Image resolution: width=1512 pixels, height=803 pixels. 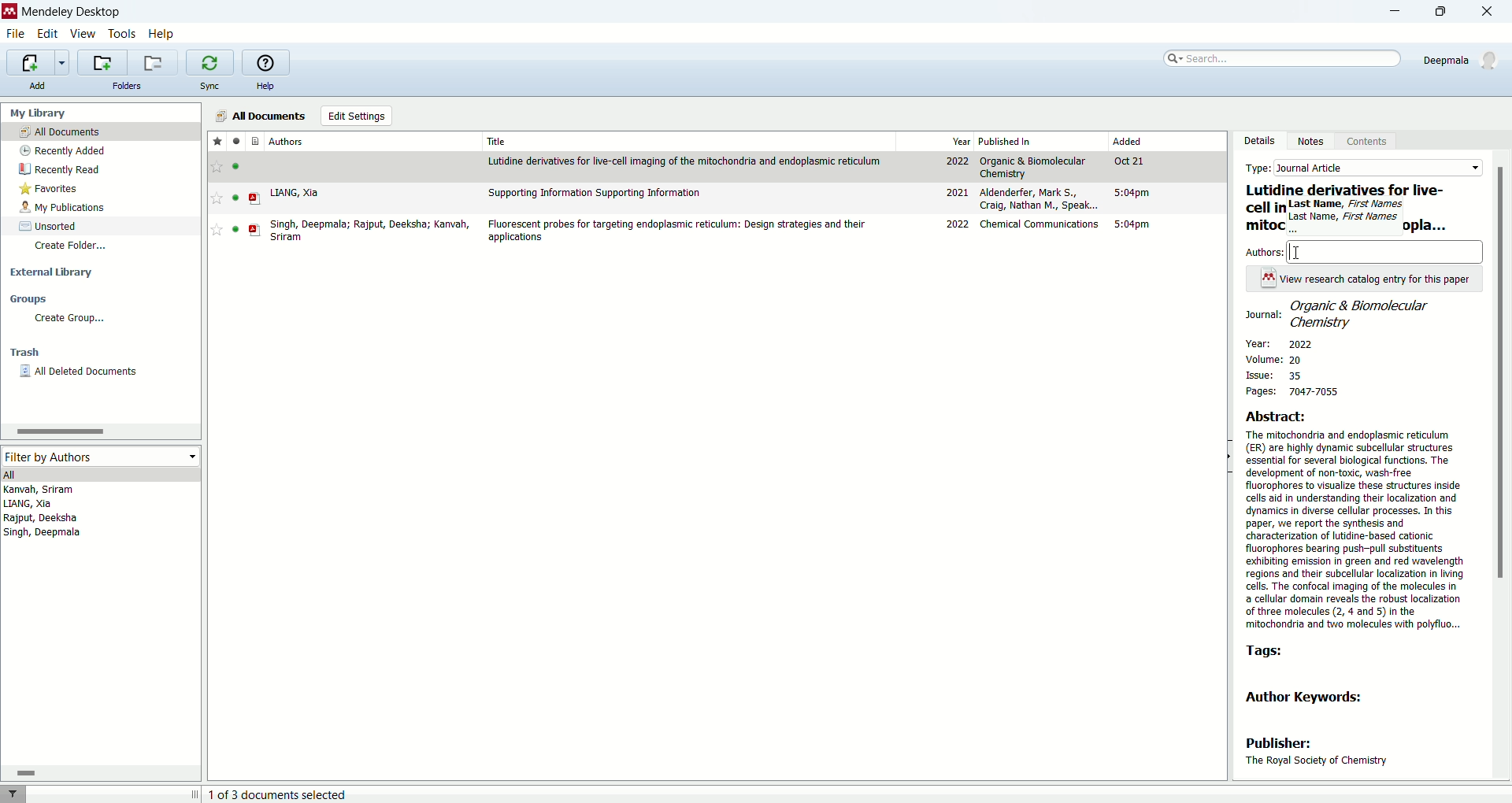 I want to click on create folder, so click(x=72, y=247).